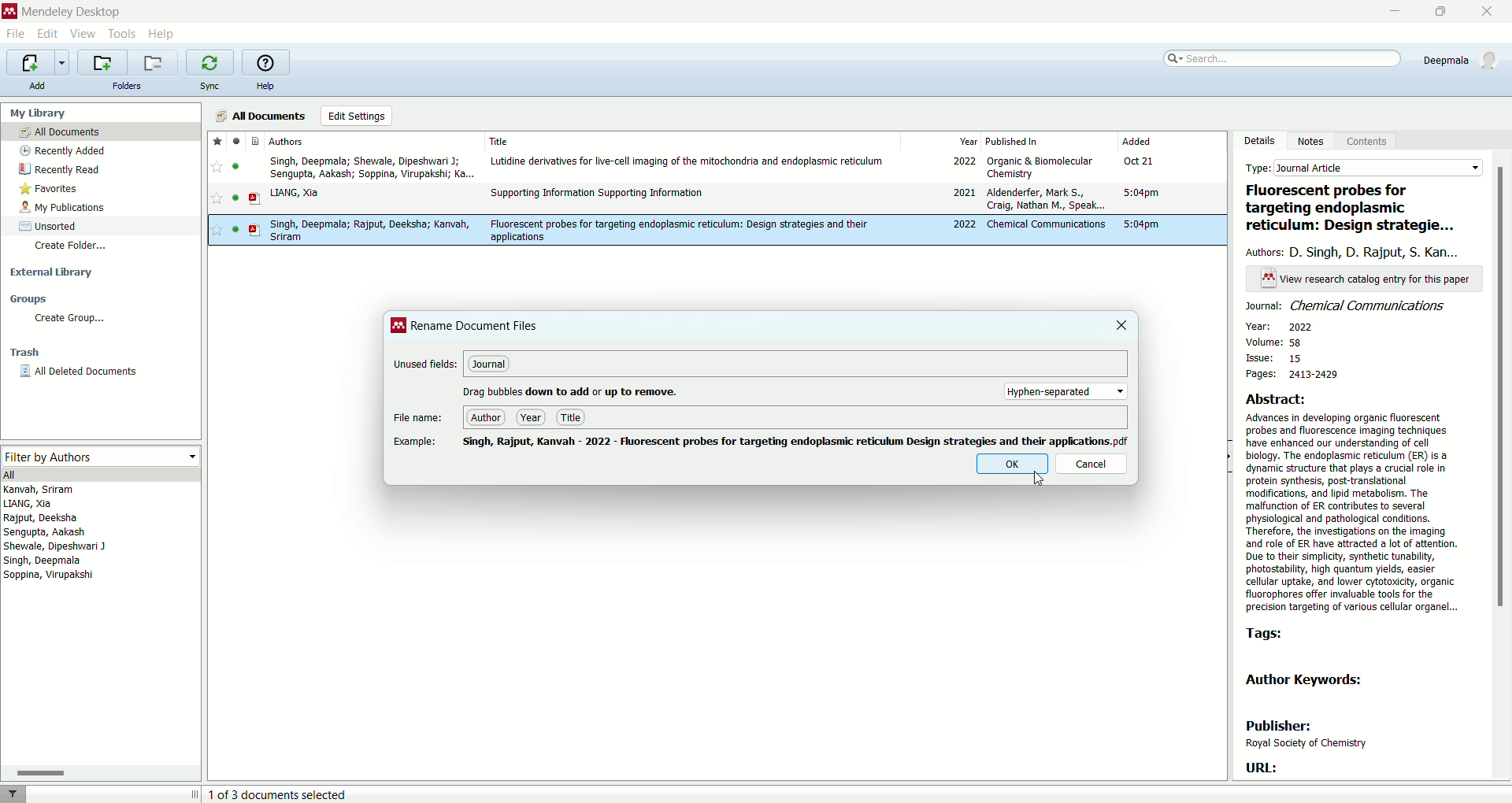  Describe the element at coordinates (476, 327) in the screenshot. I see `rename document files` at that location.